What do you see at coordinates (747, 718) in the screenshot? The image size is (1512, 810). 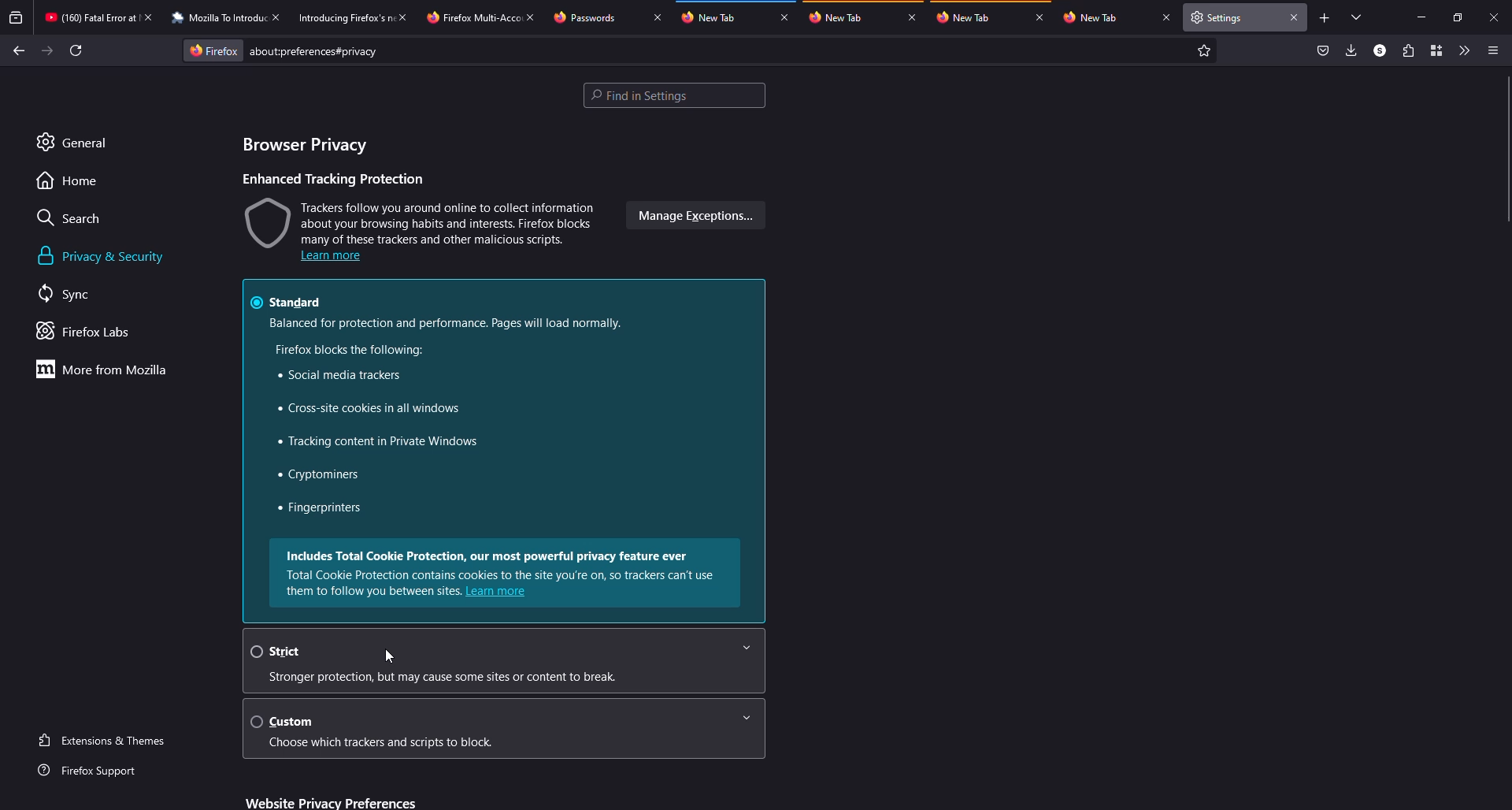 I see `expand` at bounding box center [747, 718].